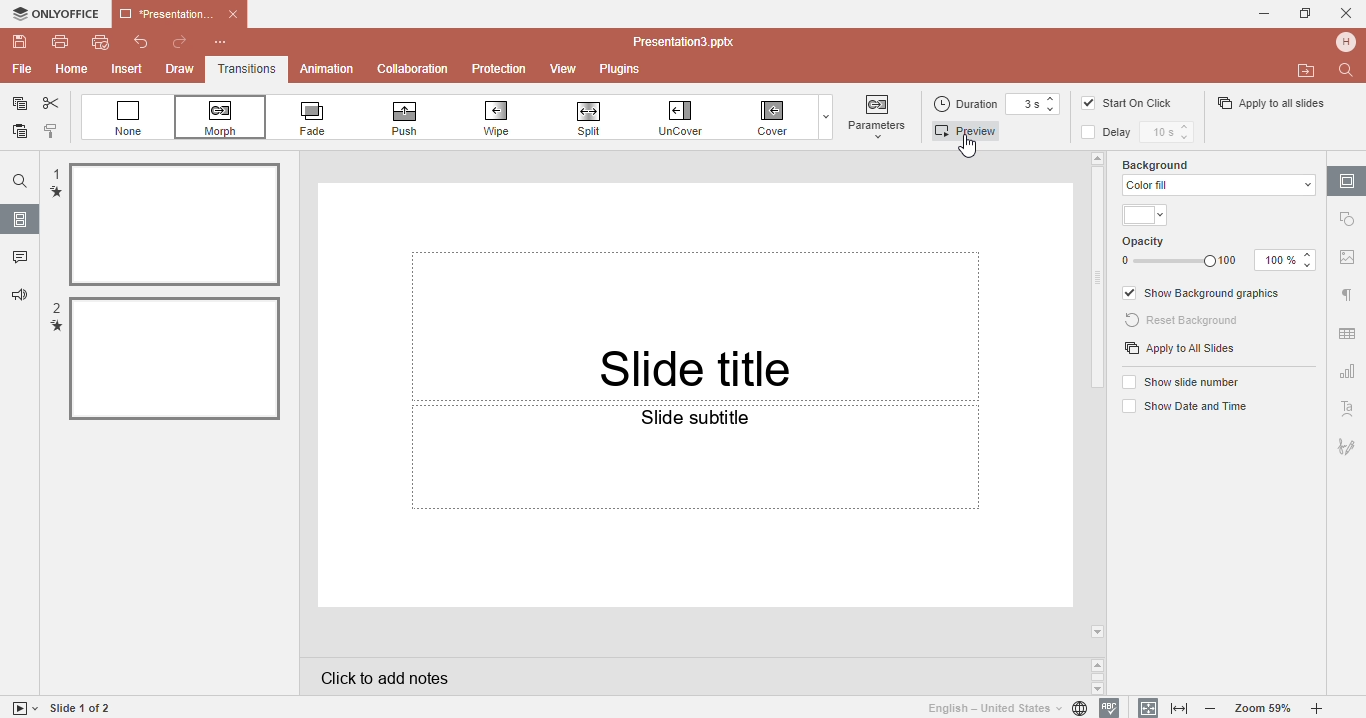 The image size is (1366, 718). What do you see at coordinates (99, 45) in the screenshot?
I see `Quick print` at bounding box center [99, 45].